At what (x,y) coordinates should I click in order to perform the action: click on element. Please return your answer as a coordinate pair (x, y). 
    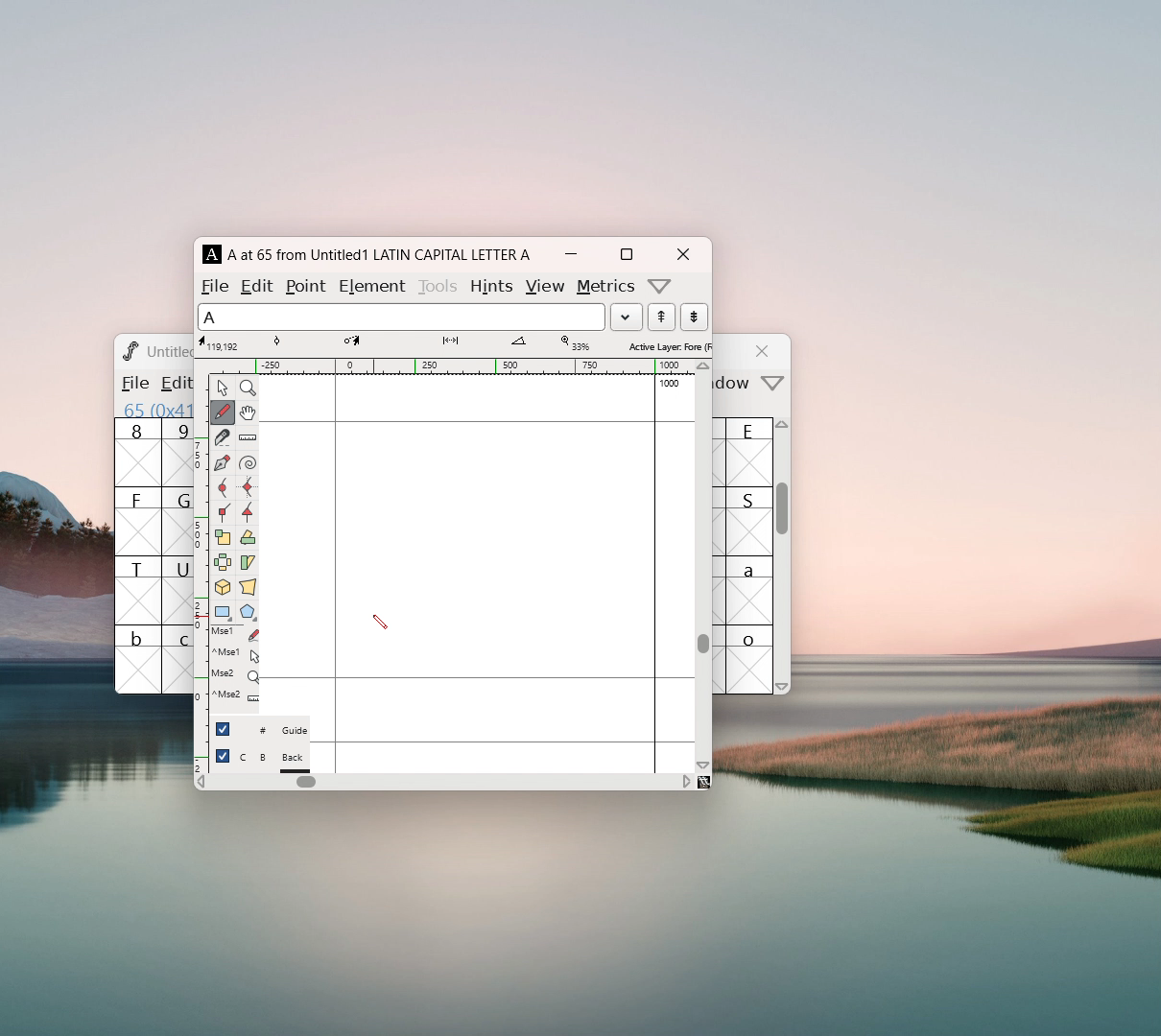
    Looking at the image, I should click on (371, 284).